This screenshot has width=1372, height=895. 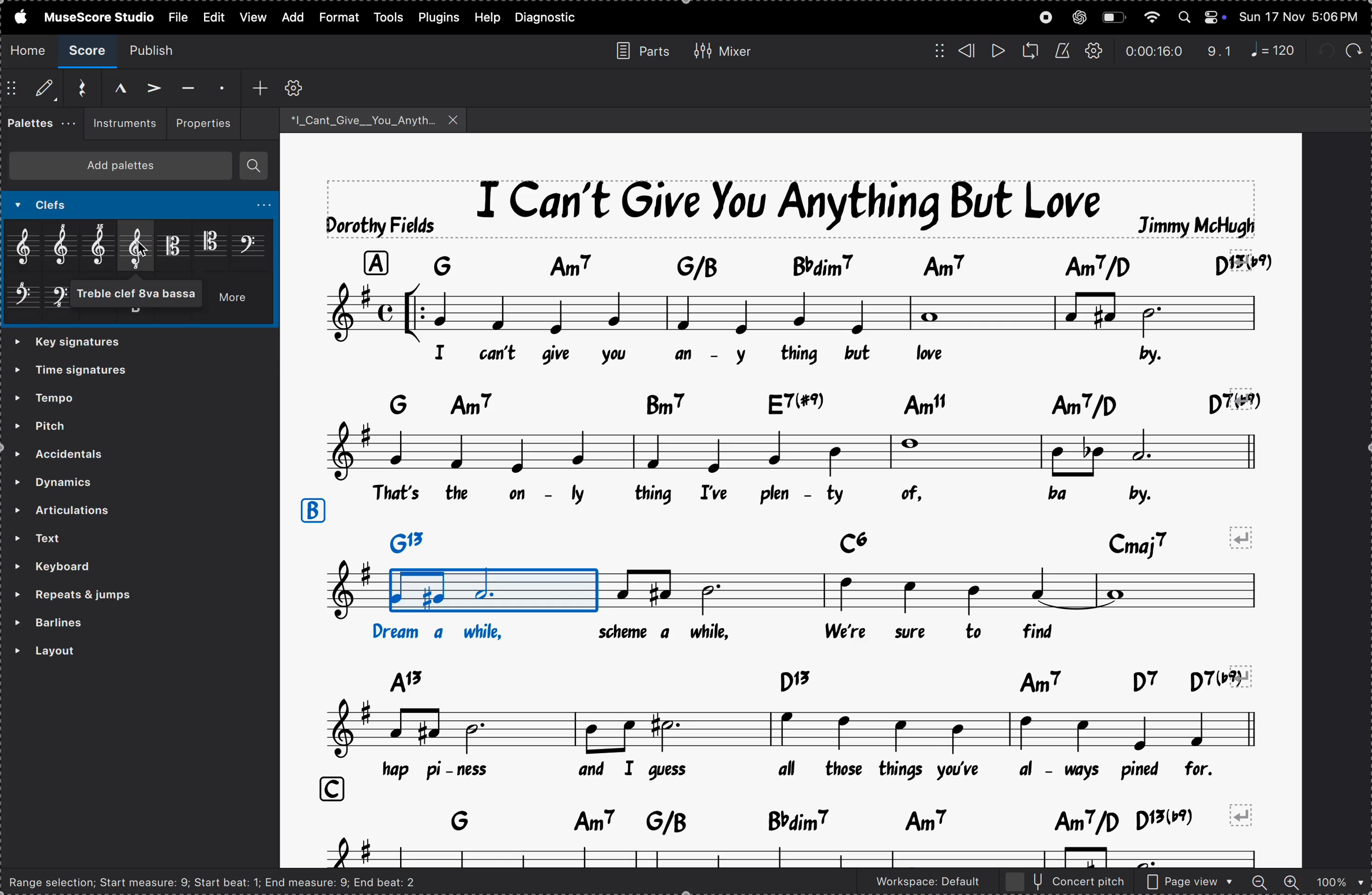 What do you see at coordinates (798, 679) in the screenshot?
I see `key notes` at bounding box center [798, 679].